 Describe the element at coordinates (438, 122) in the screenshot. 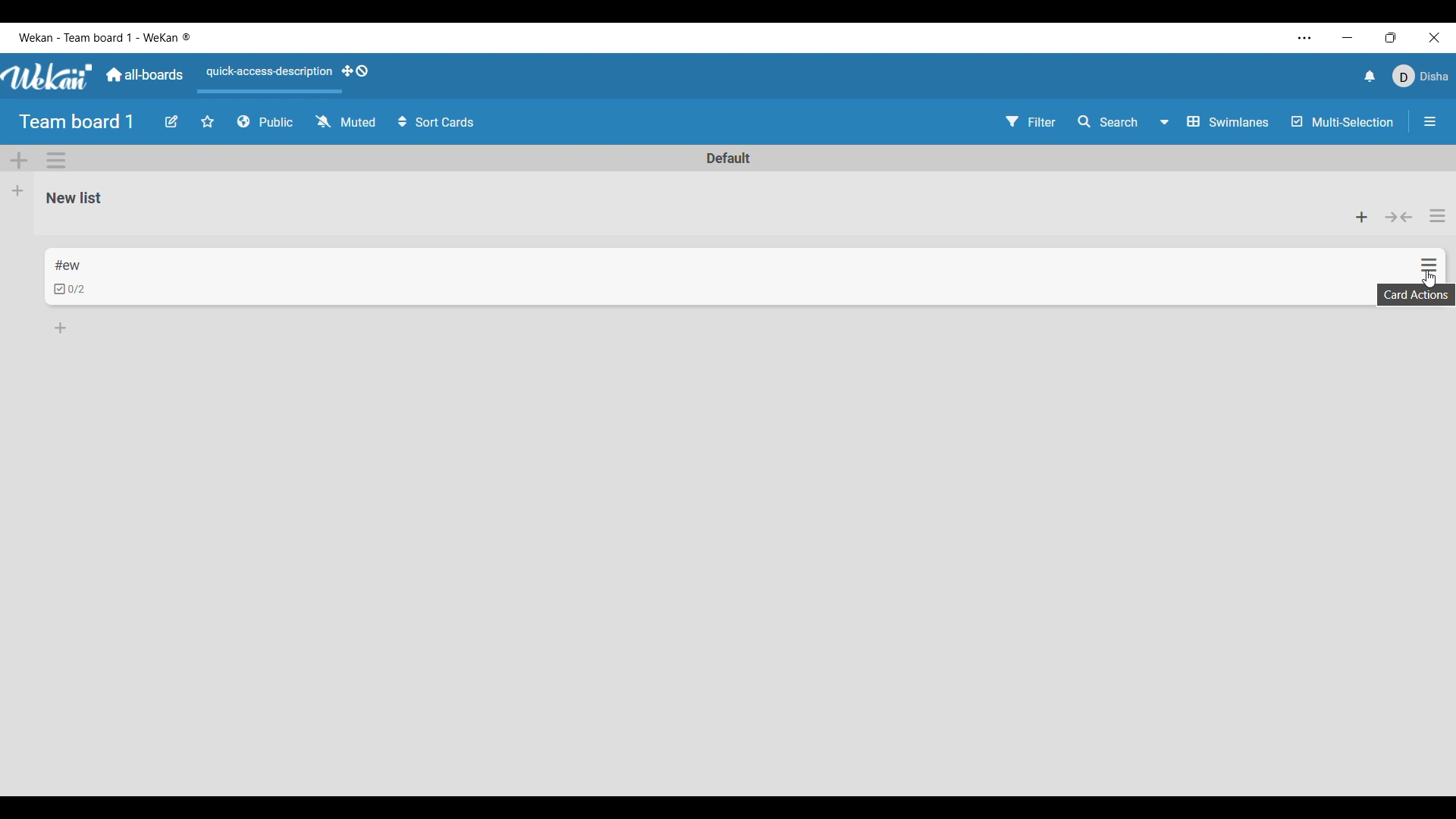

I see `Sort cards` at that location.